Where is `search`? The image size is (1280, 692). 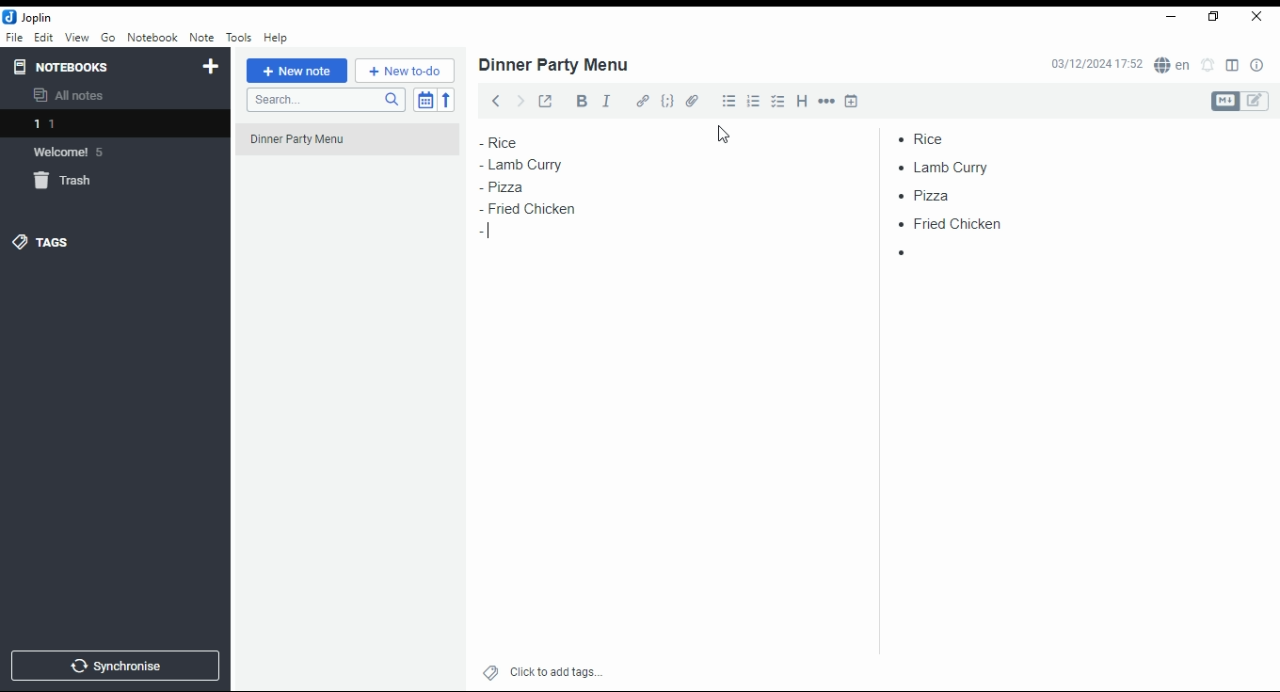
search is located at coordinates (324, 101).